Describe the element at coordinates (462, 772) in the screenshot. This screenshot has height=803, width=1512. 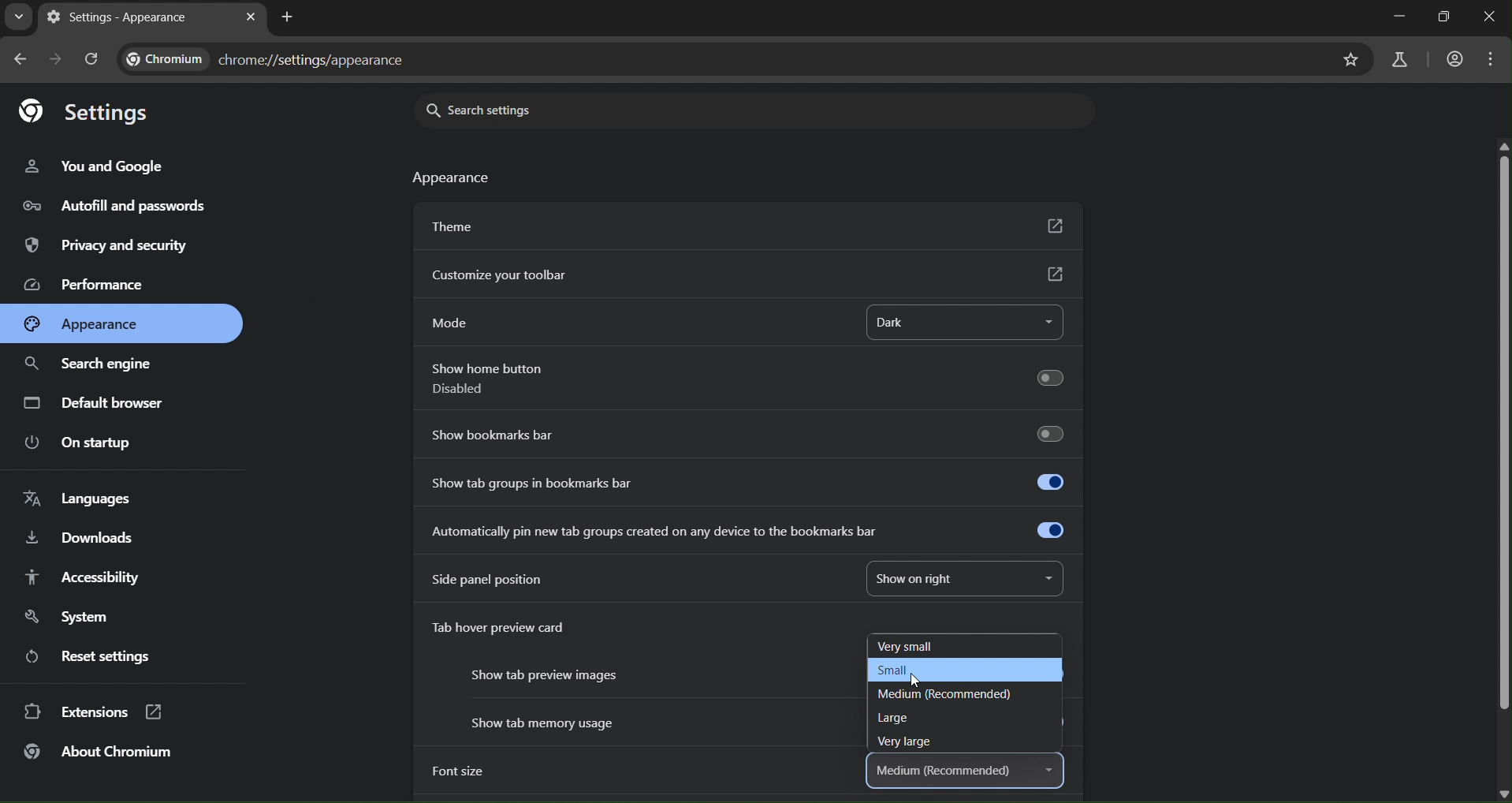
I see `font size` at that location.